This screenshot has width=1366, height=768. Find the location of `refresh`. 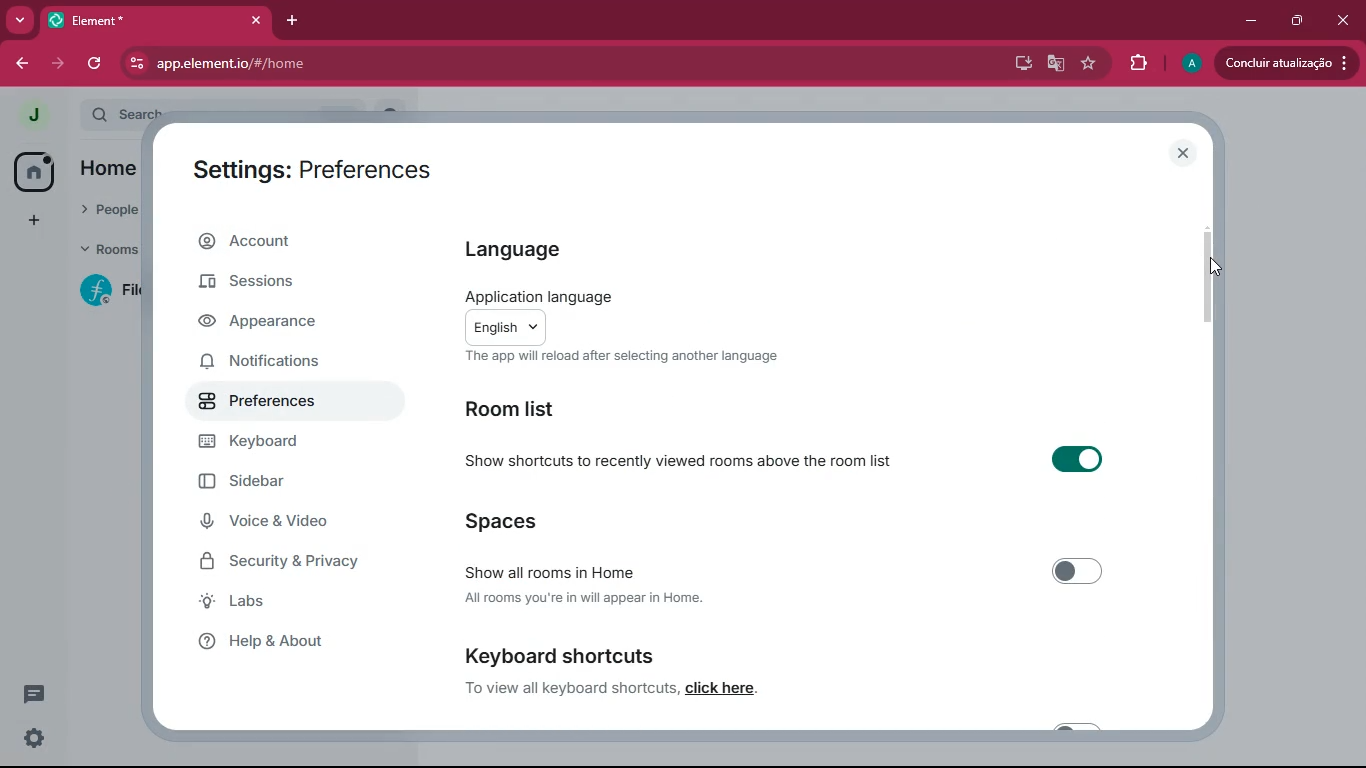

refresh is located at coordinates (96, 64).